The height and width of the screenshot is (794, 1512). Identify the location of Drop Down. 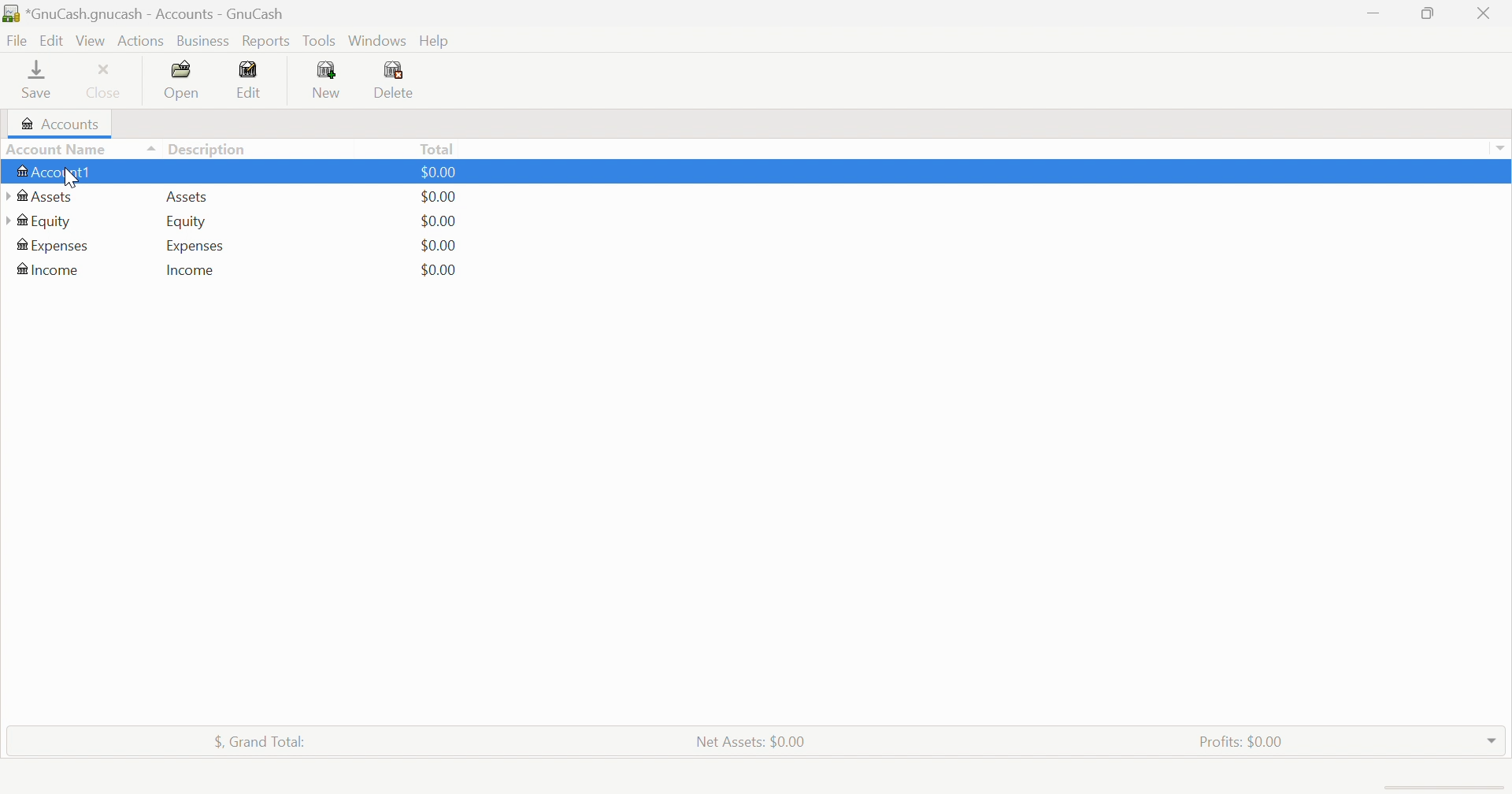
(1491, 739).